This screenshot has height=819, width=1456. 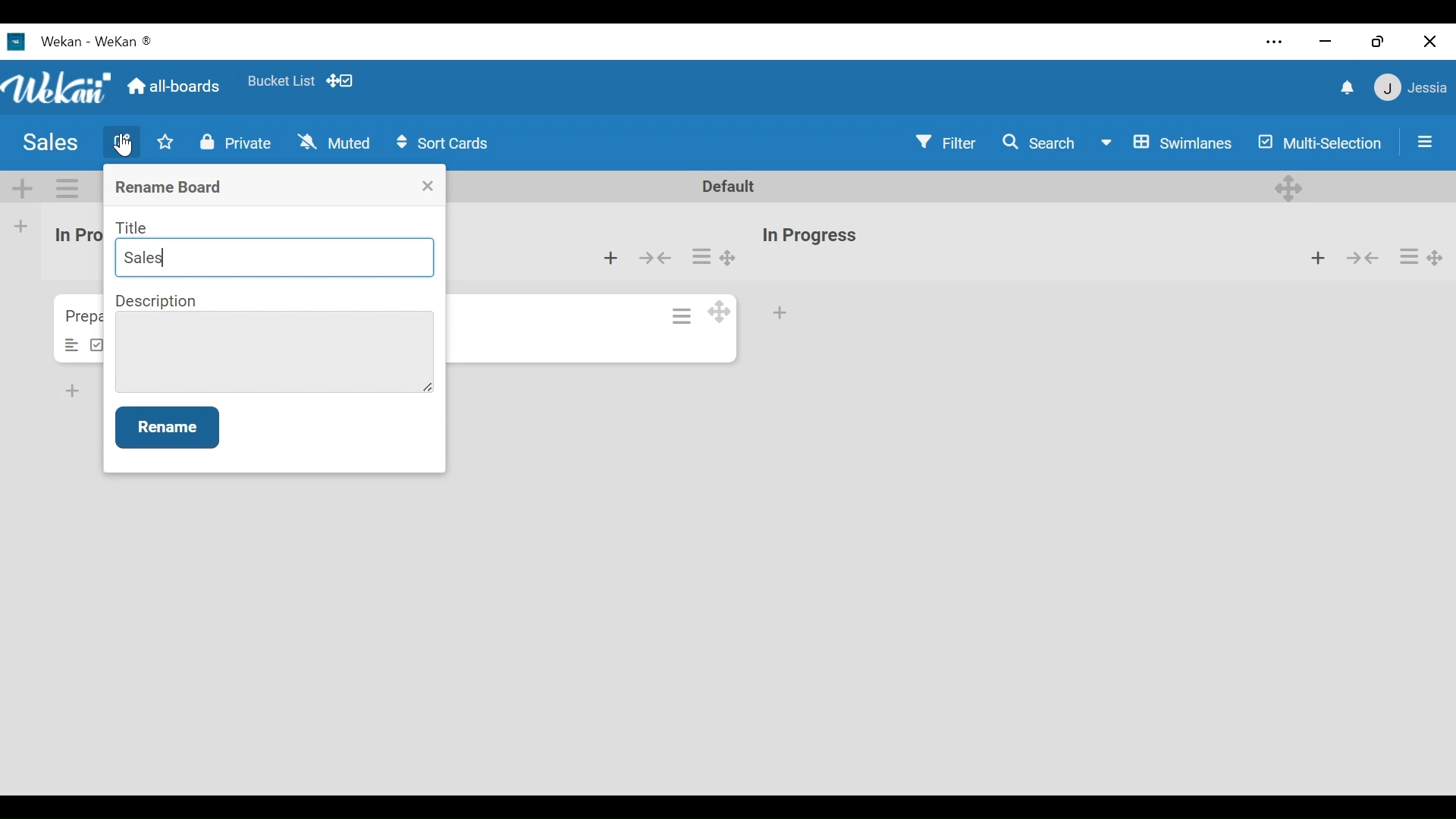 I want to click on Edit, so click(x=122, y=140).